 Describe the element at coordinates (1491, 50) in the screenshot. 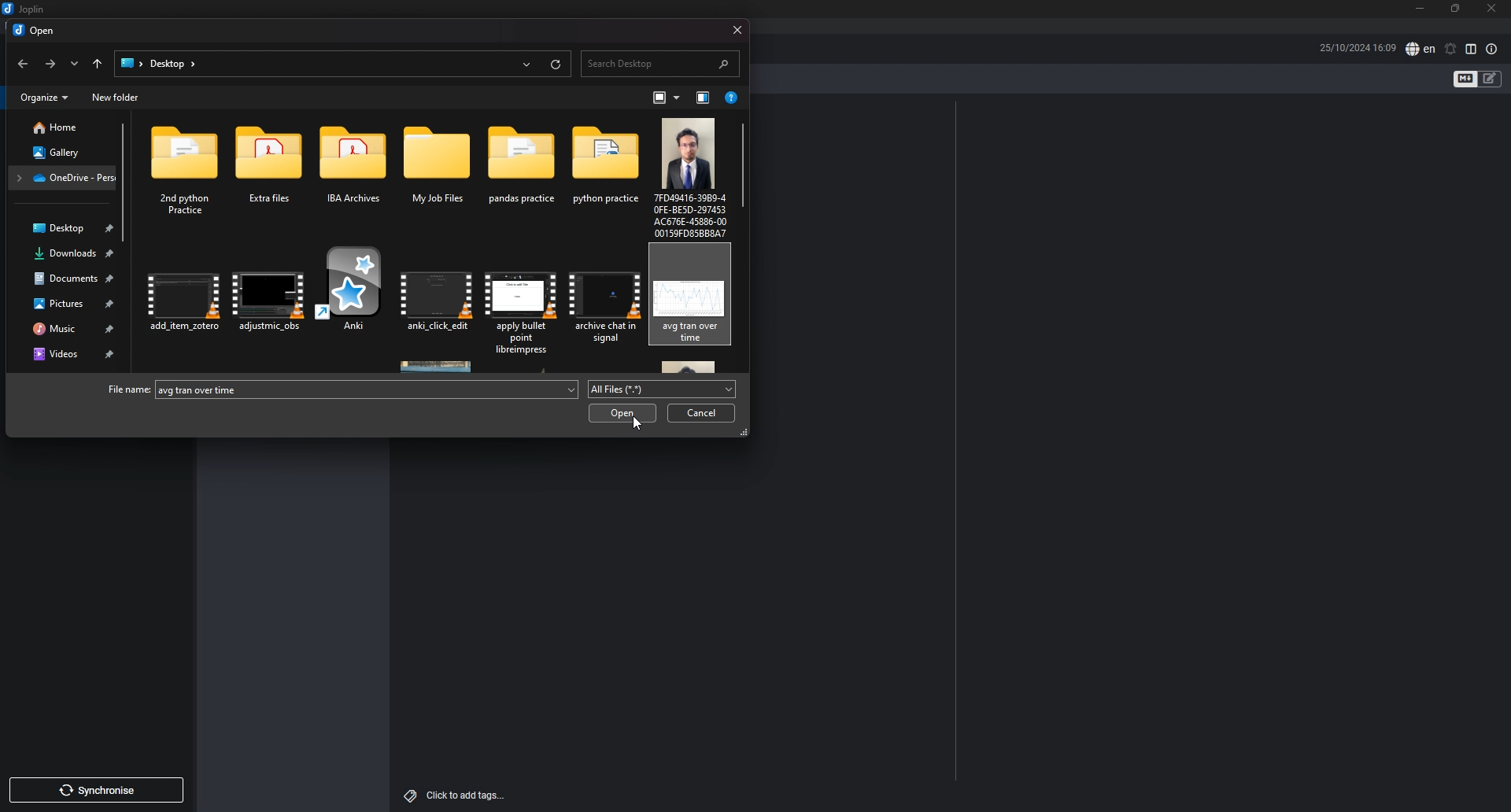

I see `note properties` at that location.